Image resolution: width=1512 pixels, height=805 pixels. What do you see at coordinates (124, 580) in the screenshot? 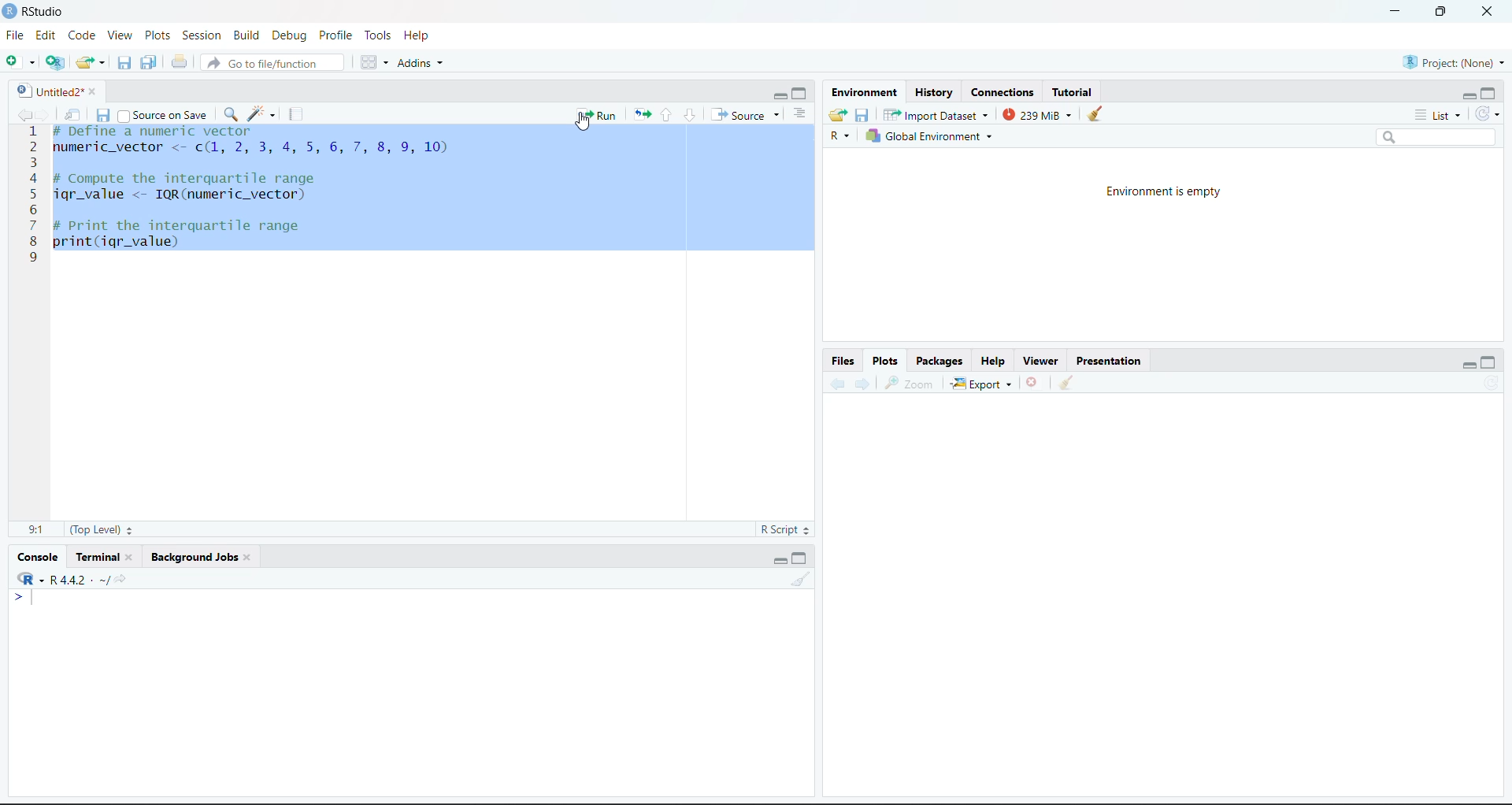
I see `View the current working directory` at bounding box center [124, 580].